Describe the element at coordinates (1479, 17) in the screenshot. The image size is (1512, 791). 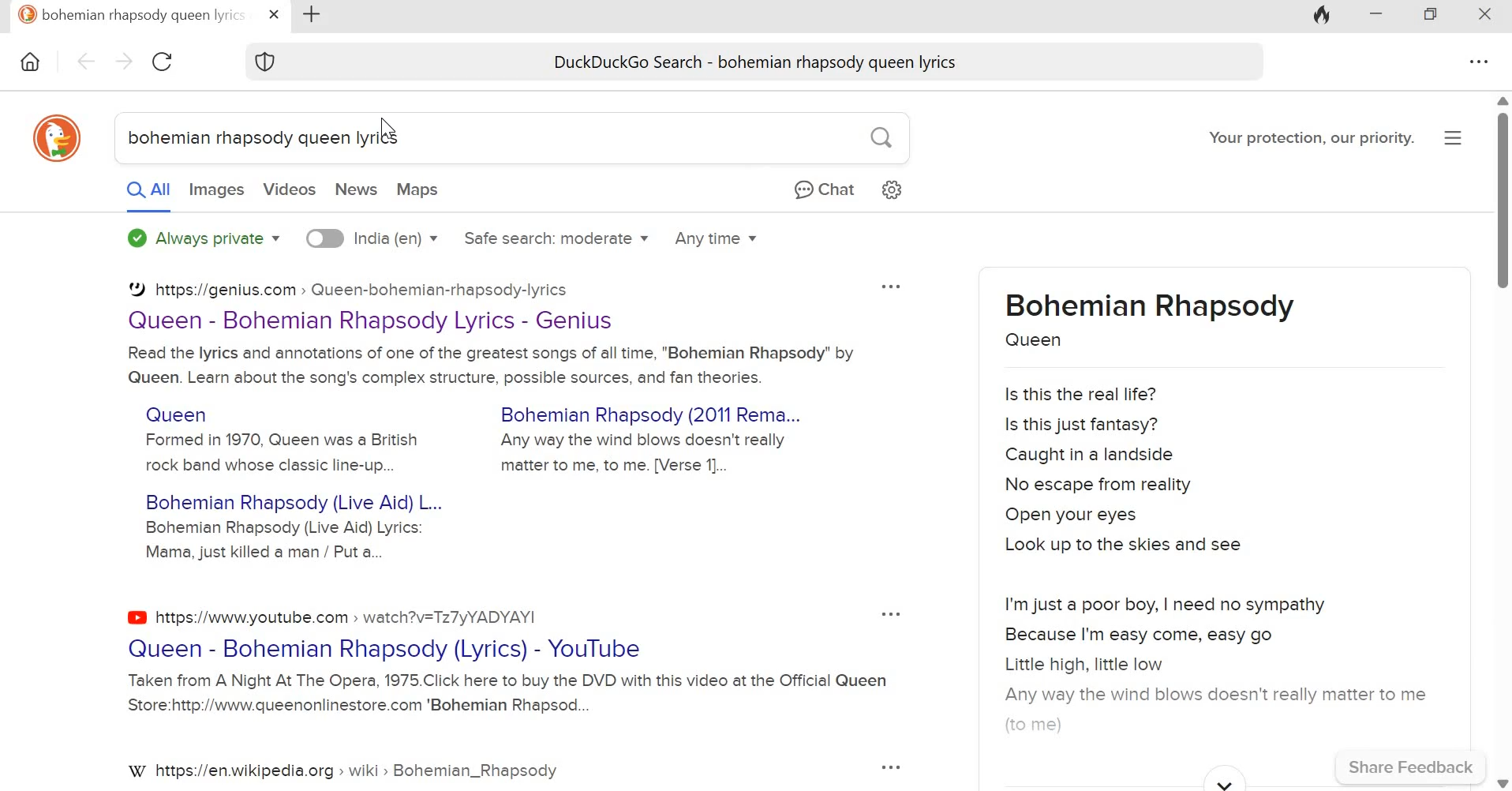
I see `Close` at that location.